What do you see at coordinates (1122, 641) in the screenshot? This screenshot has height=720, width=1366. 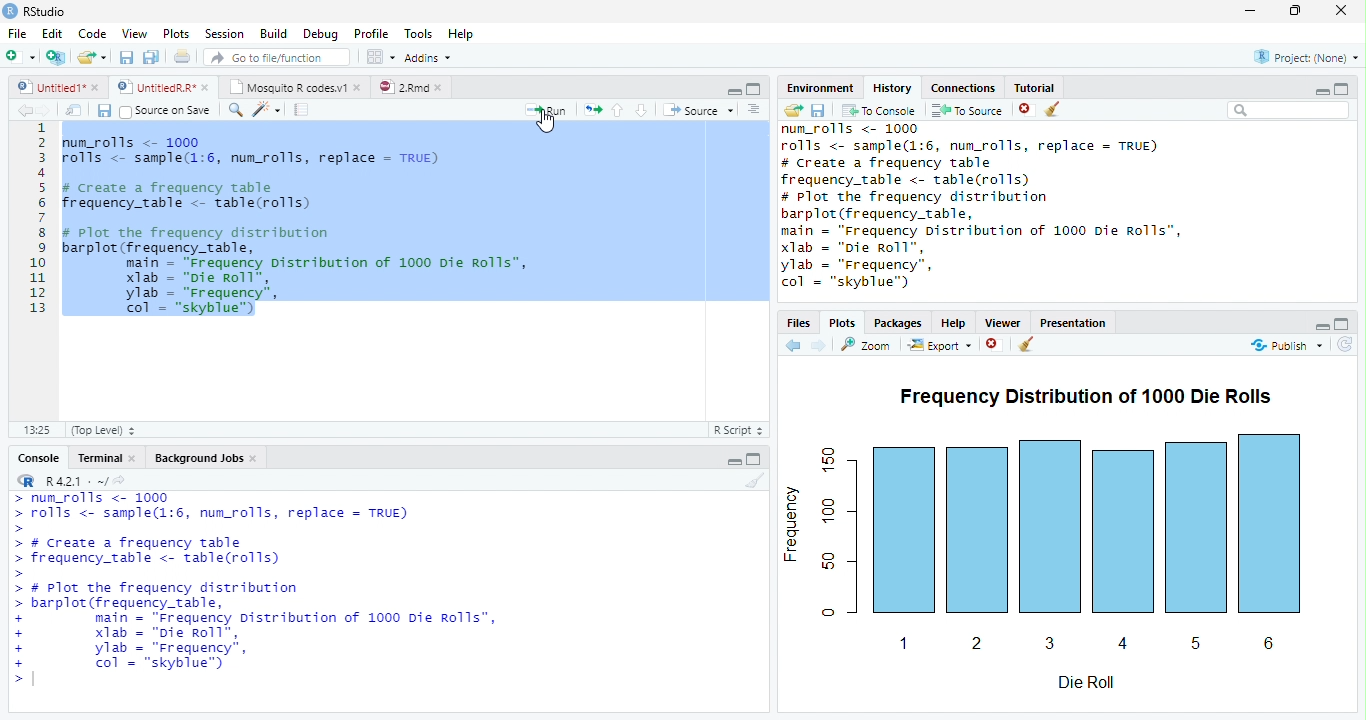 I see `4` at bounding box center [1122, 641].